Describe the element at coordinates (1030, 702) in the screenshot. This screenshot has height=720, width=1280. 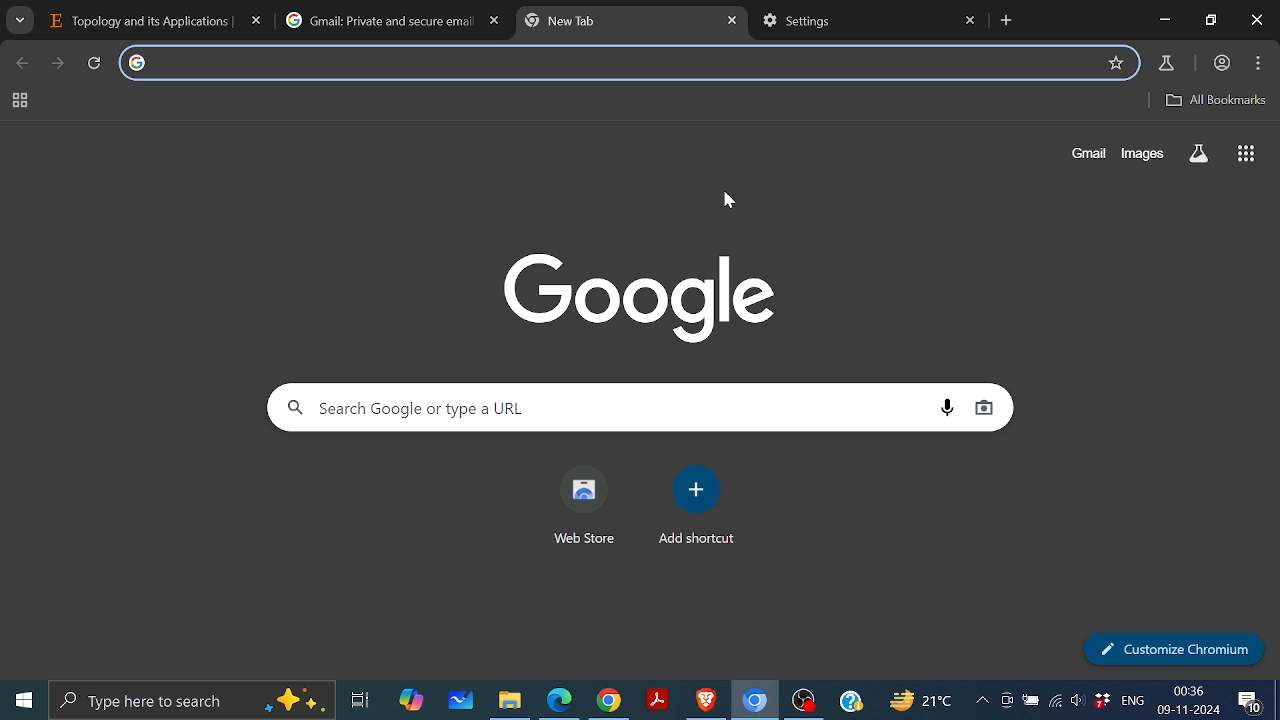
I see `battery` at that location.